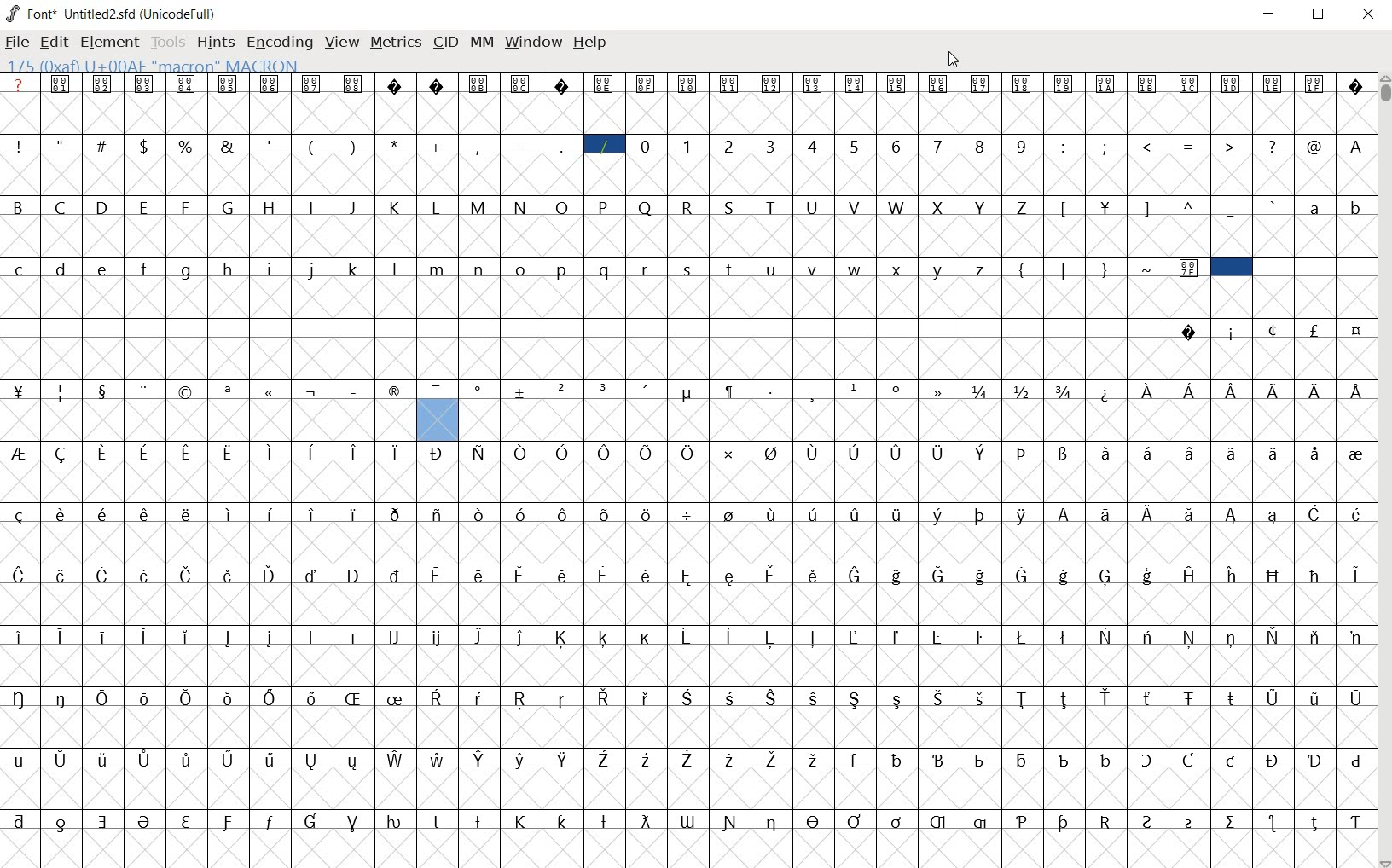 The height and width of the screenshot is (868, 1392). What do you see at coordinates (1354, 756) in the screenshot?
I see `Symbol` at bounding box center [1354, 756].